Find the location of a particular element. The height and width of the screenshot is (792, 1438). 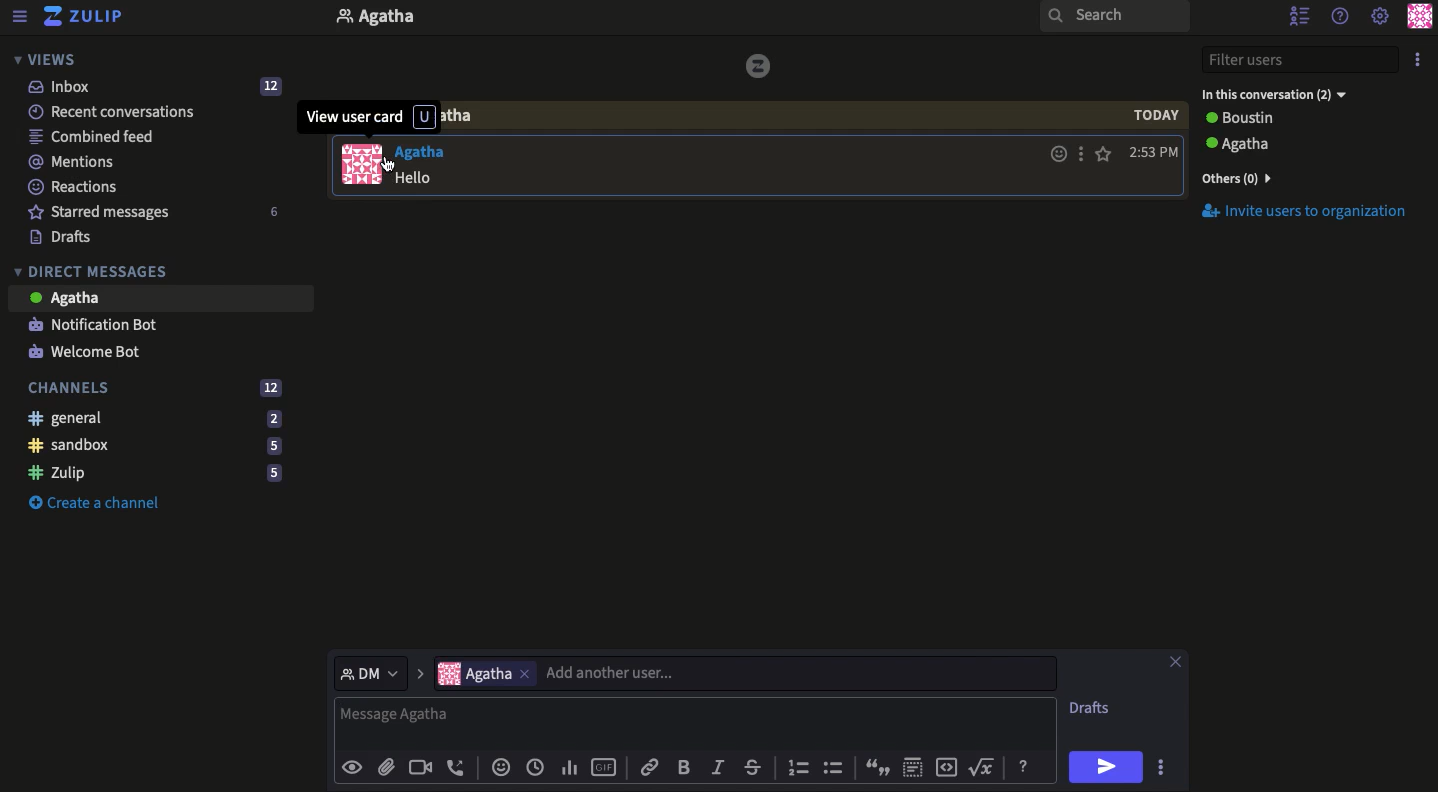

Link is located at coordinates (648, 767).